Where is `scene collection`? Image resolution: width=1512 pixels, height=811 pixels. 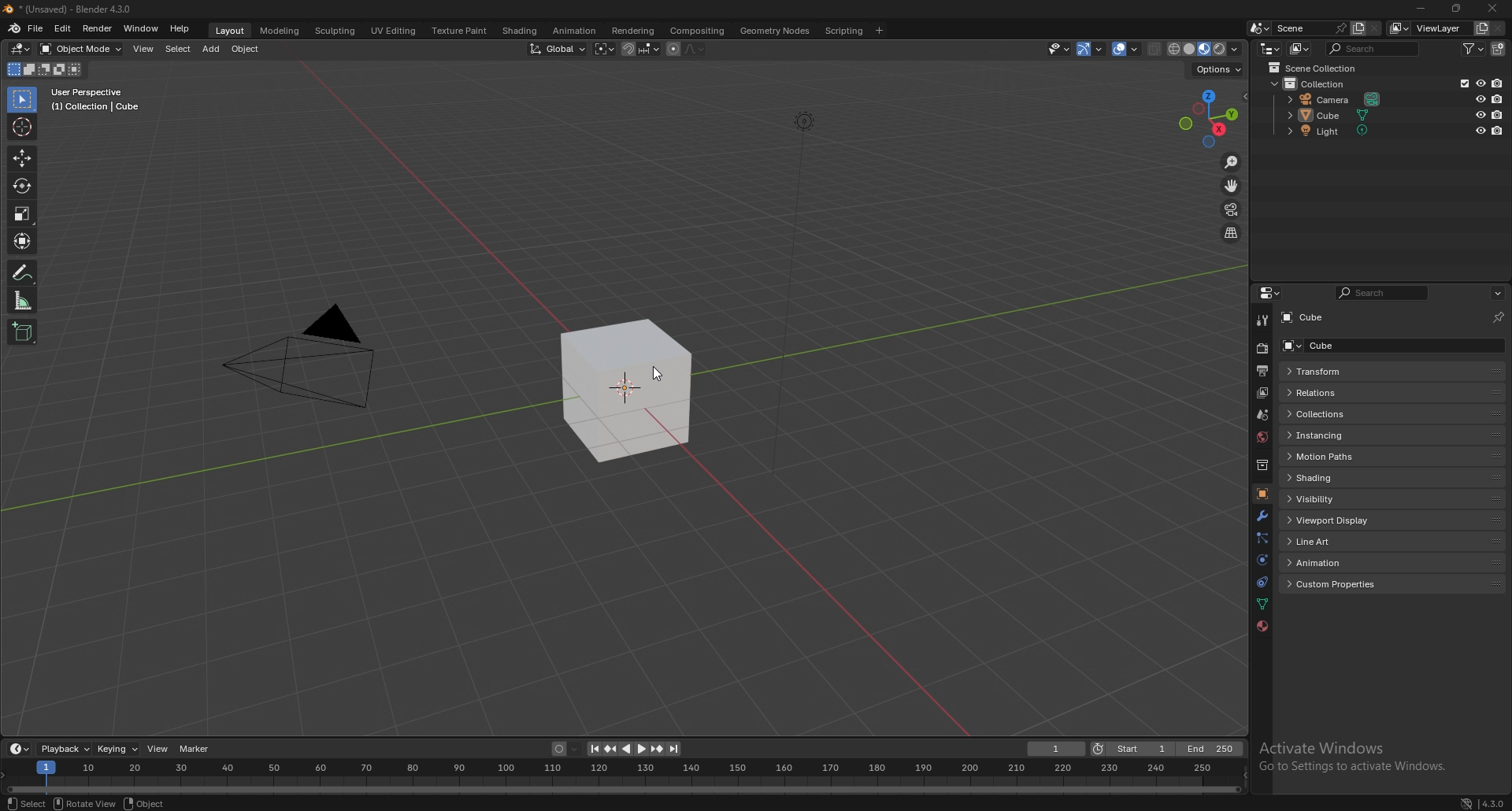
scene collection is located at coordinates (1319, 68).